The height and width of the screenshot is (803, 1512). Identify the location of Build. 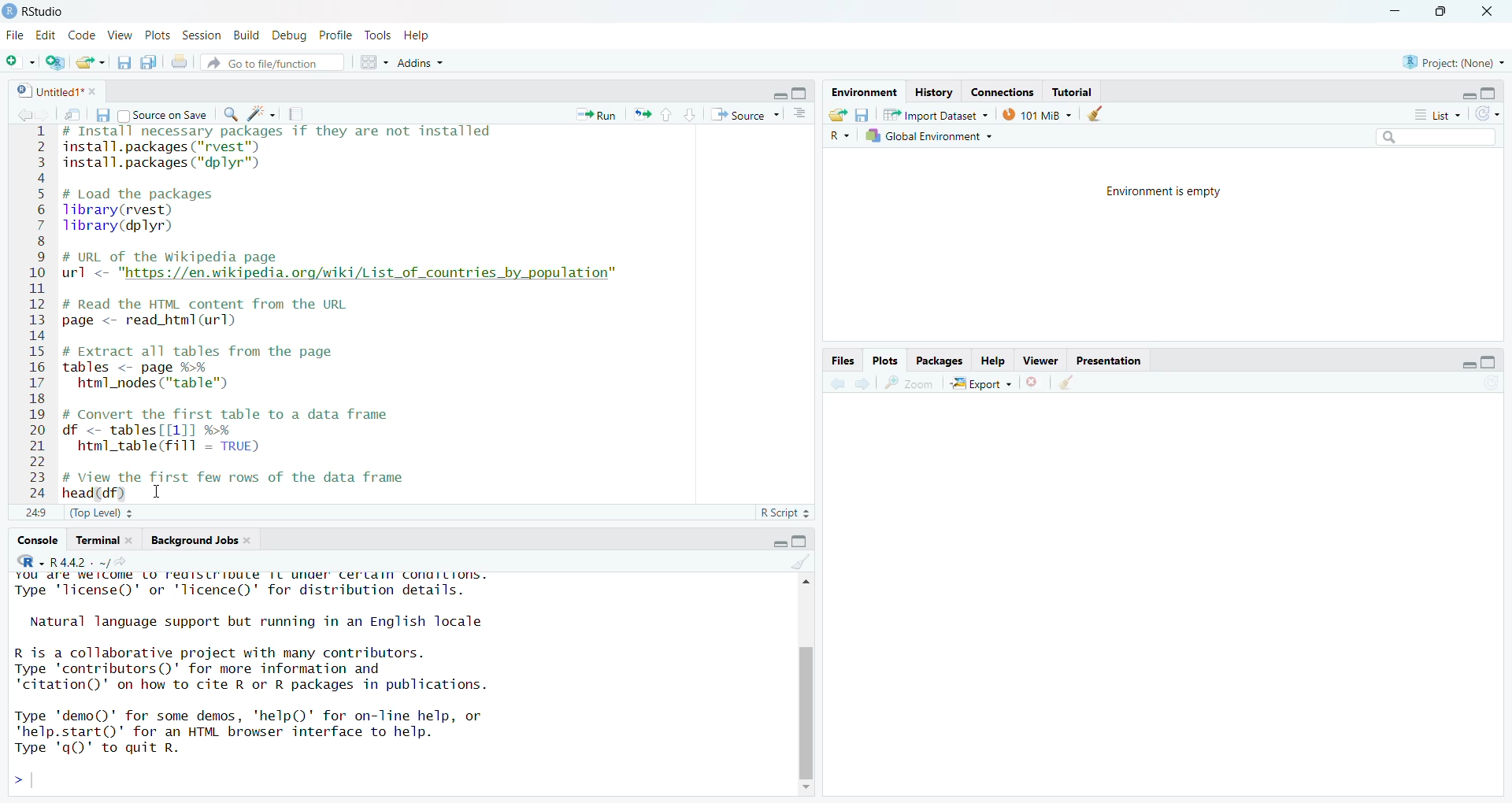
(248, 36).